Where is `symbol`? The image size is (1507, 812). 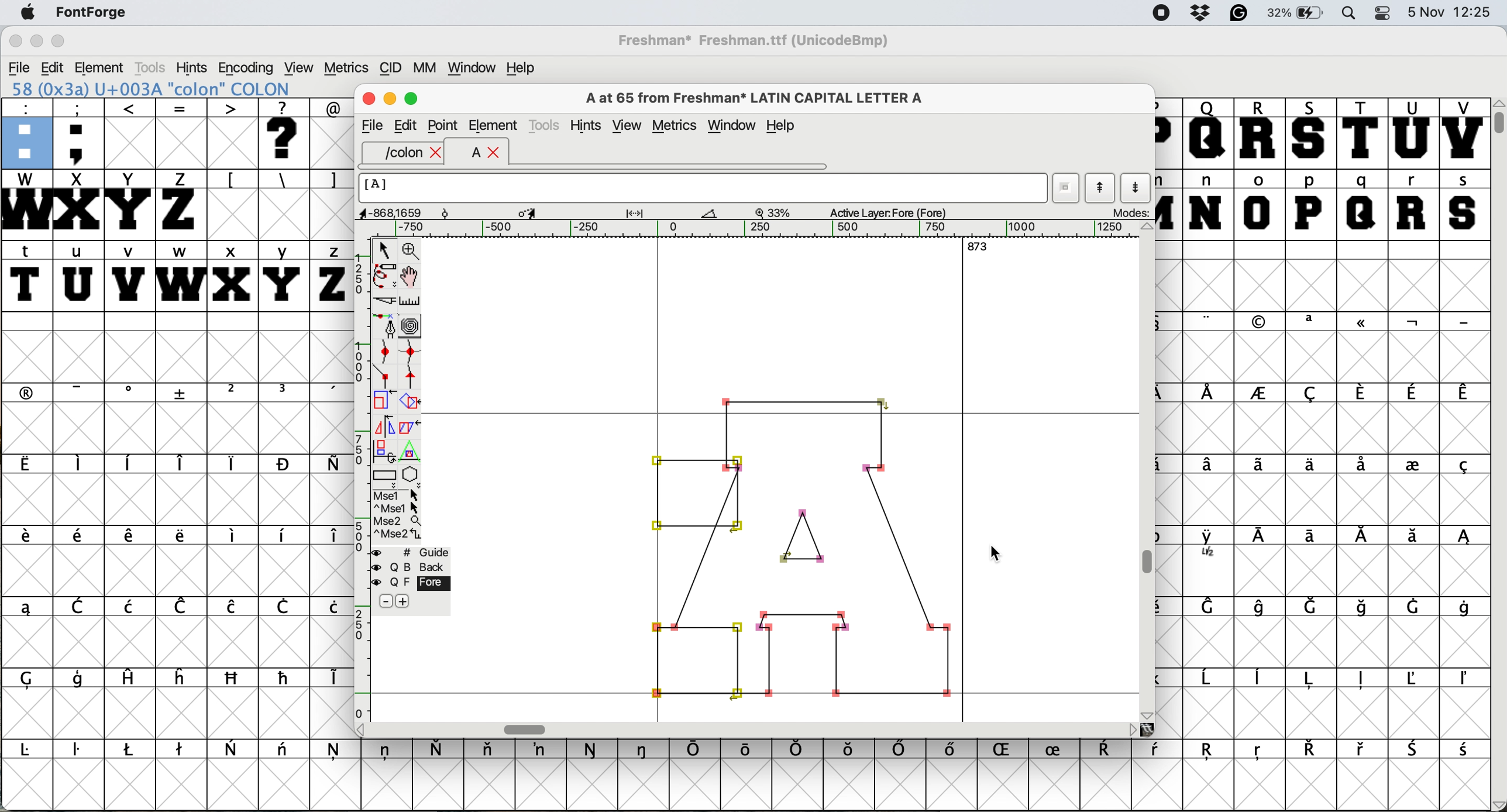
symbol is located at coordinates (851, 751).